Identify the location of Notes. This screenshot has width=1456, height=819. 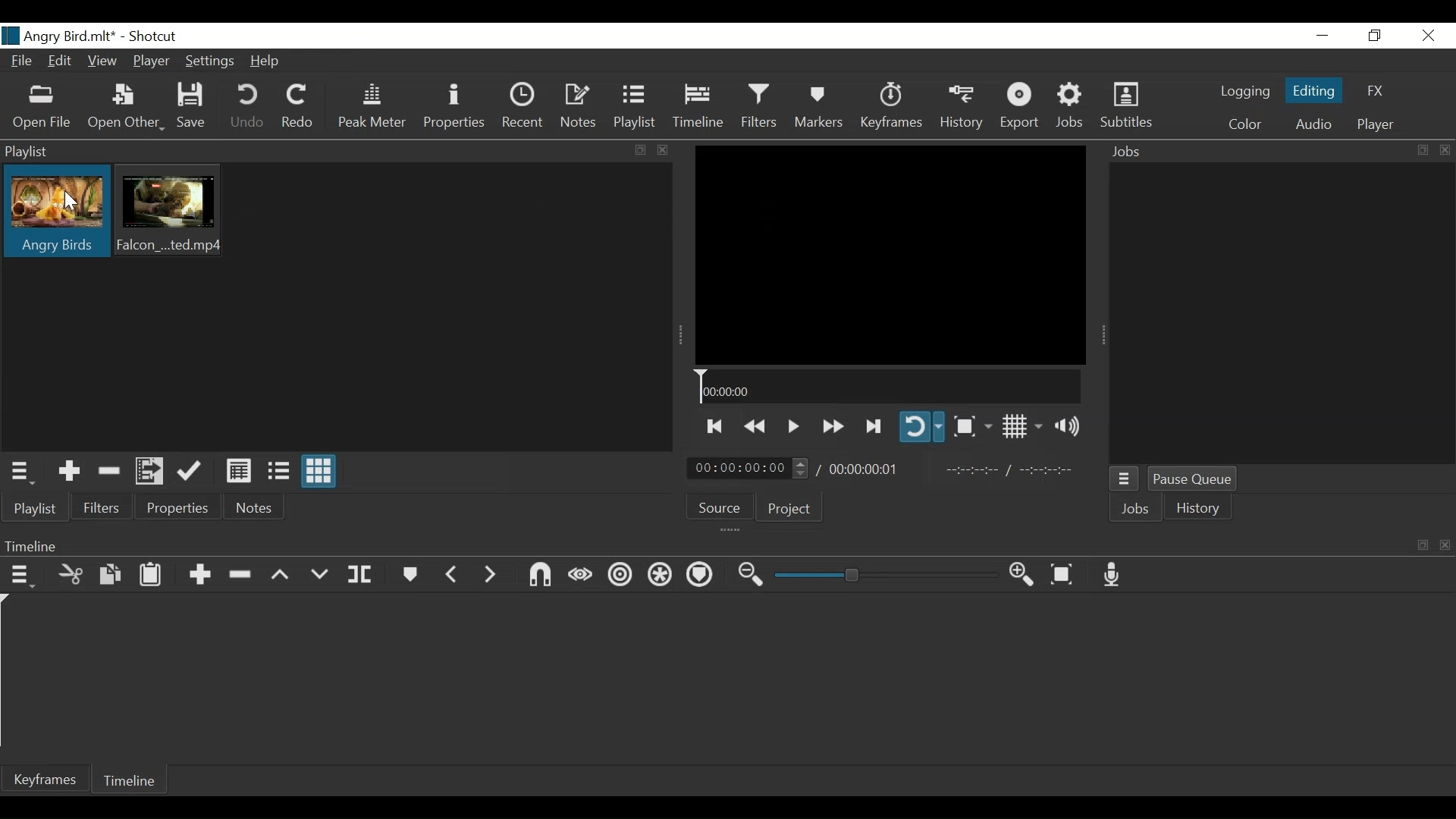
(256, 510).